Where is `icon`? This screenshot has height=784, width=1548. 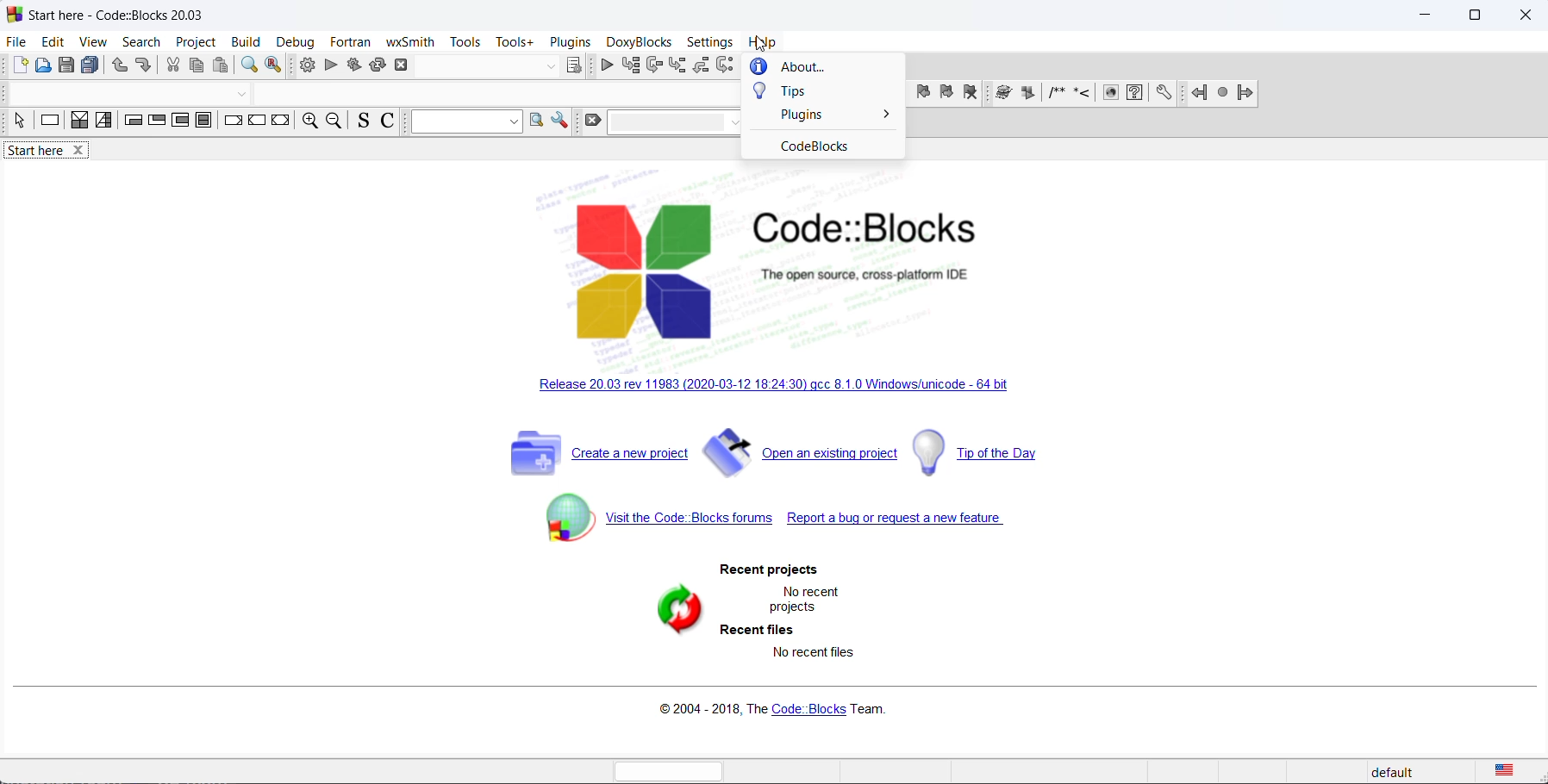
icon is located at coordinates (1111, 94).